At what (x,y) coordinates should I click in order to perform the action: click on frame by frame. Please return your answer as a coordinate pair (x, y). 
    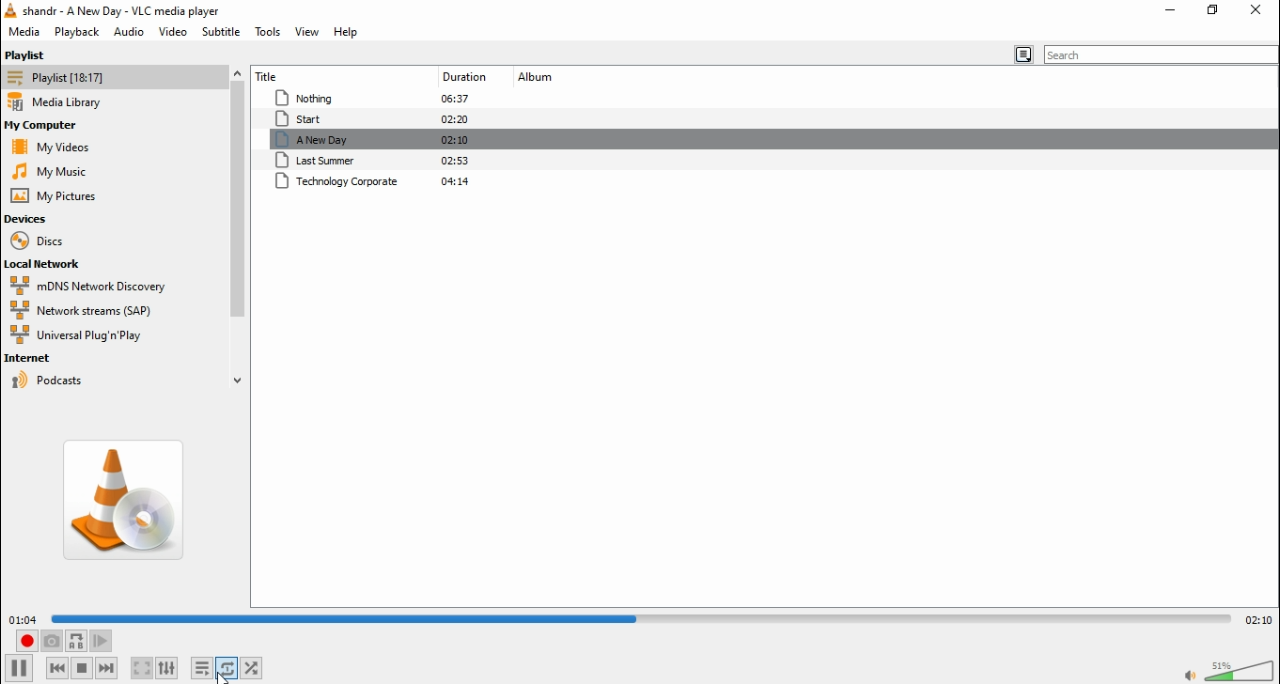
    Looking at the image, I should click on (104, 640).